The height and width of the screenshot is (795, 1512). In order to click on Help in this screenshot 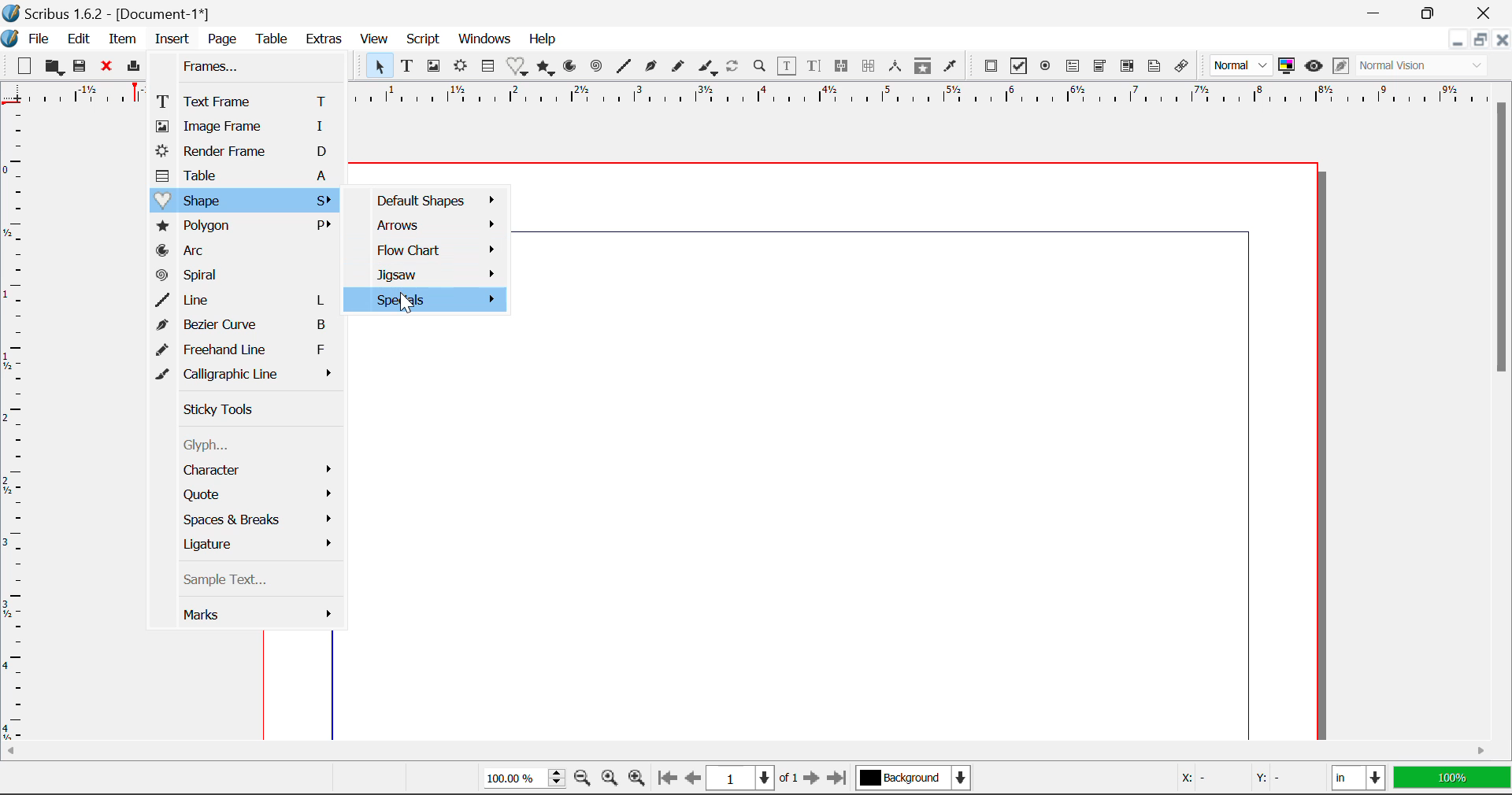, I will do `click(543, 39)`.